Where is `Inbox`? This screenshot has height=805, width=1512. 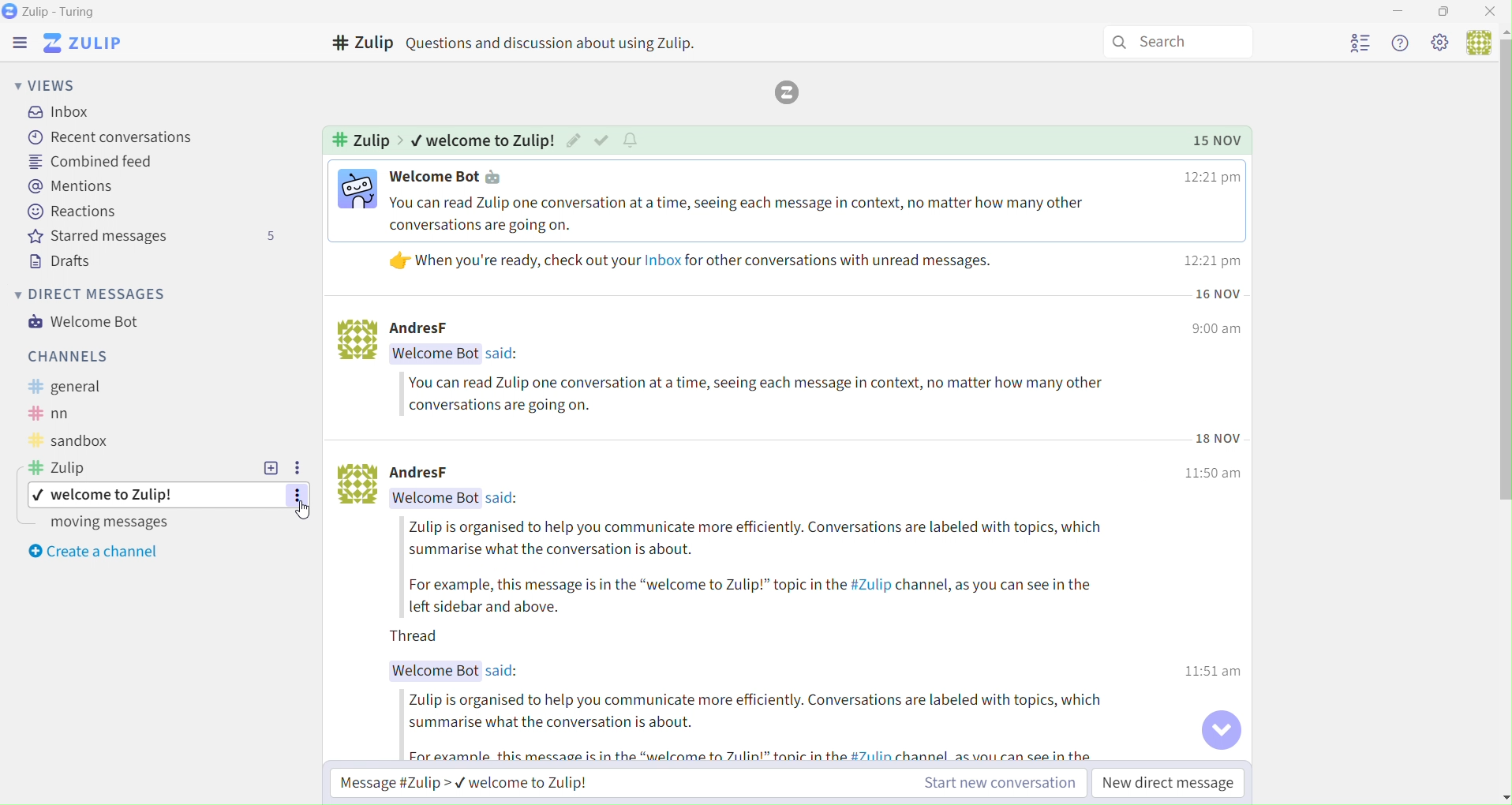
Inbox is located at coordinates (58, 113).